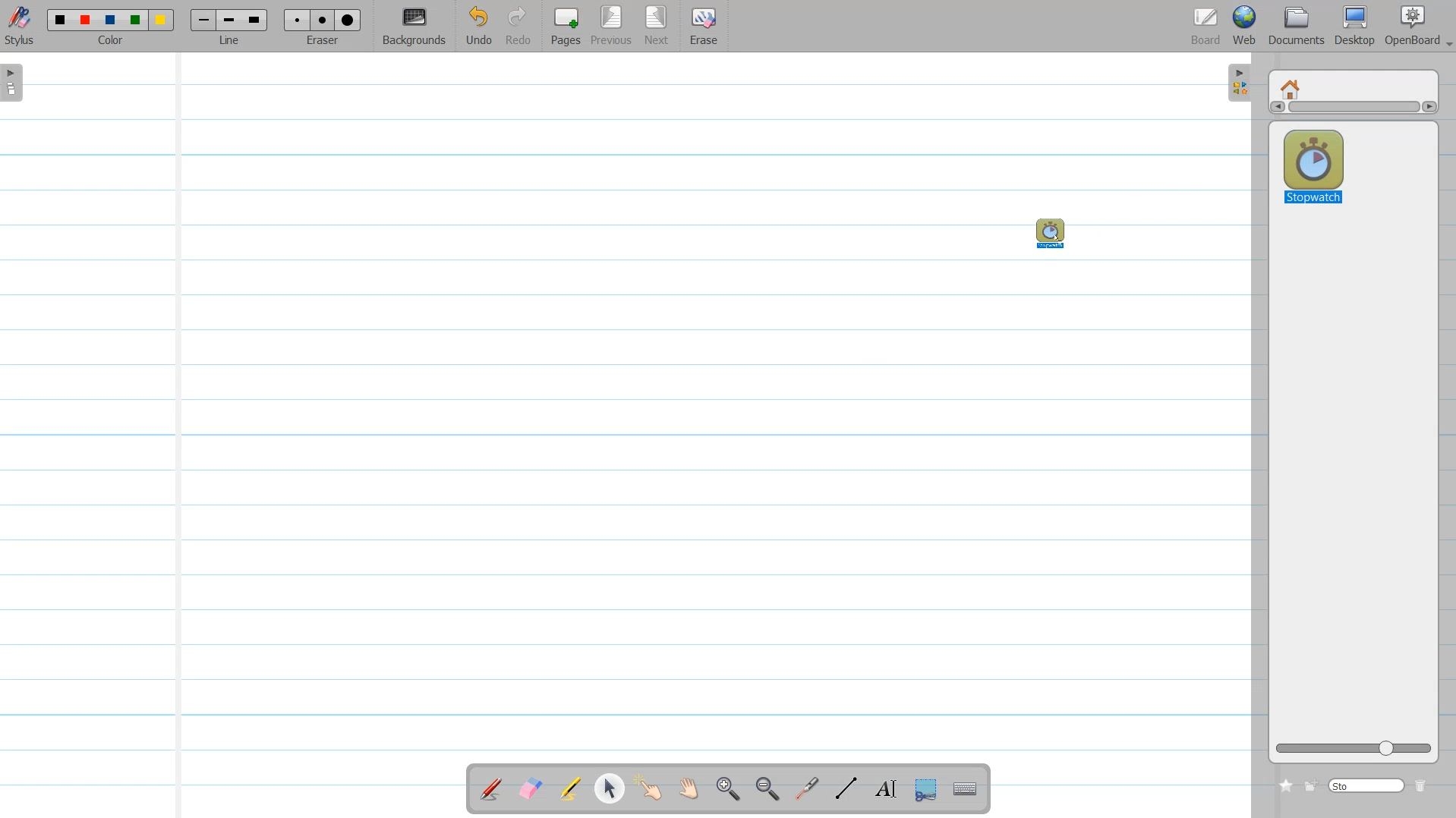 The height and width of the screenshot is (818, 1456). Describe the element at coordinates (704, 27) in the screenshot. I see `Erase` at that location.